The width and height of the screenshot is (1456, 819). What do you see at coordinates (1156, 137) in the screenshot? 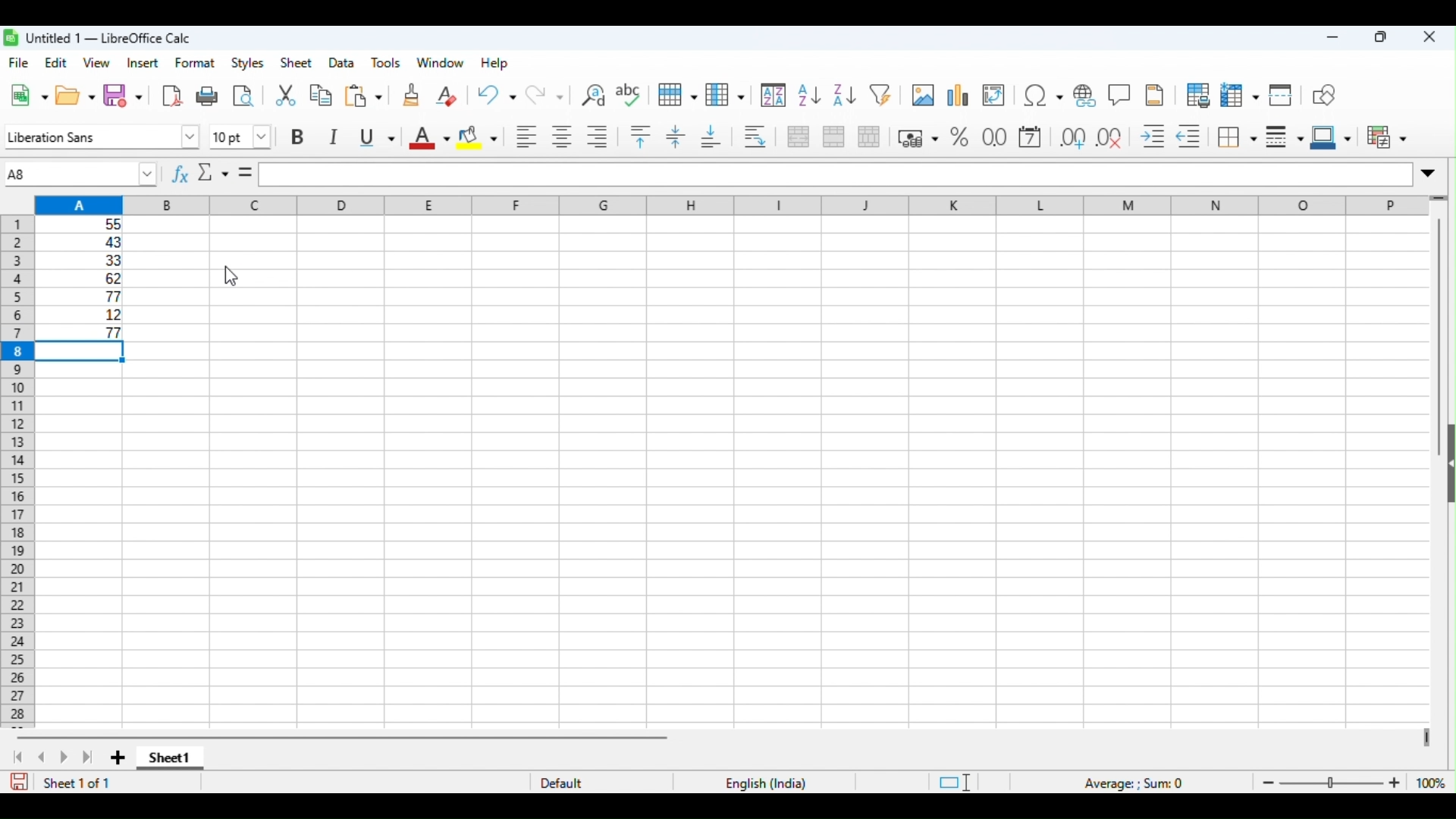
I see `increase indent` at bounding box center [1156, 137].